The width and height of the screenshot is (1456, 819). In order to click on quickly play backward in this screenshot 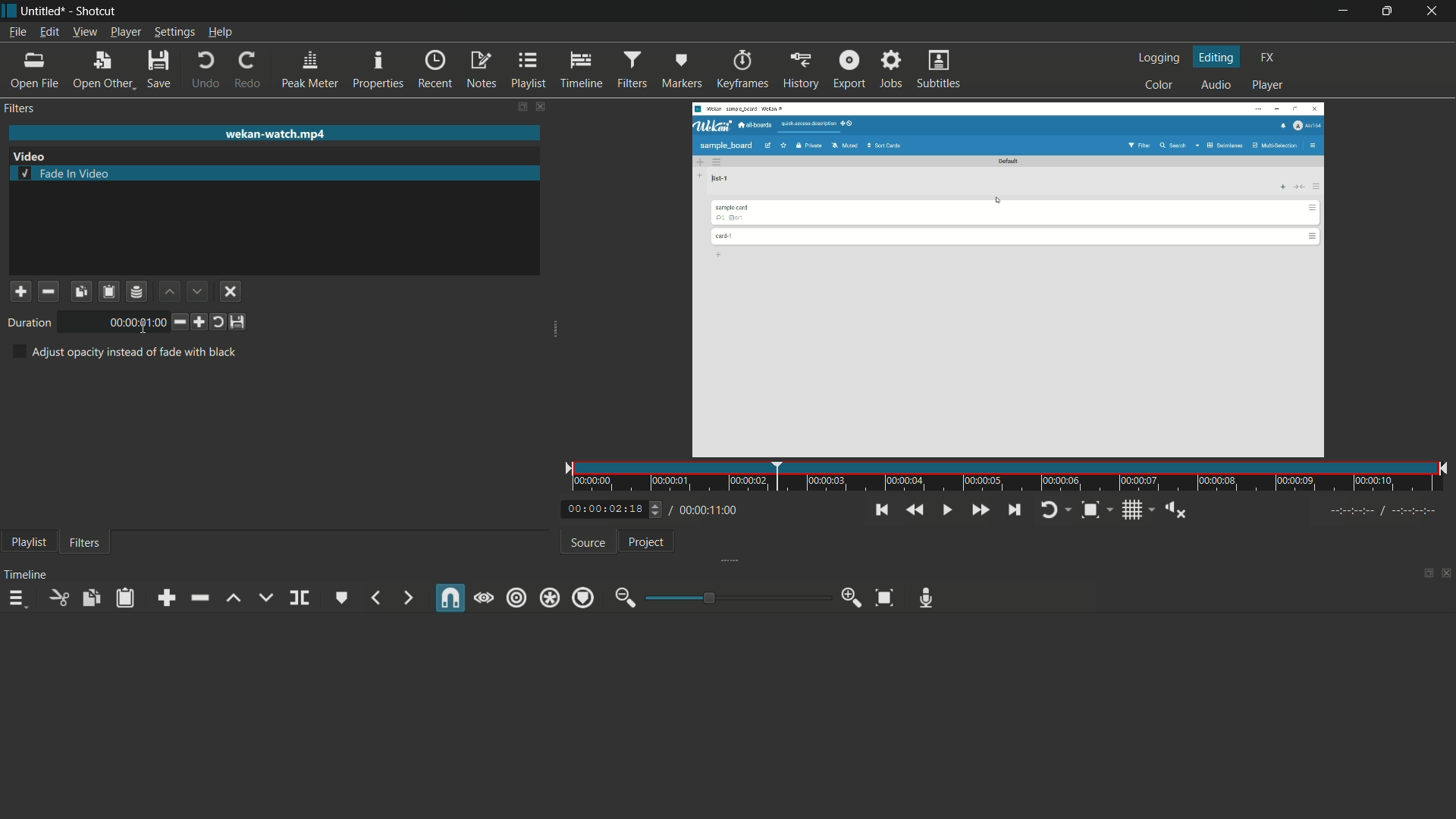, I will do `click(913, 510)`.